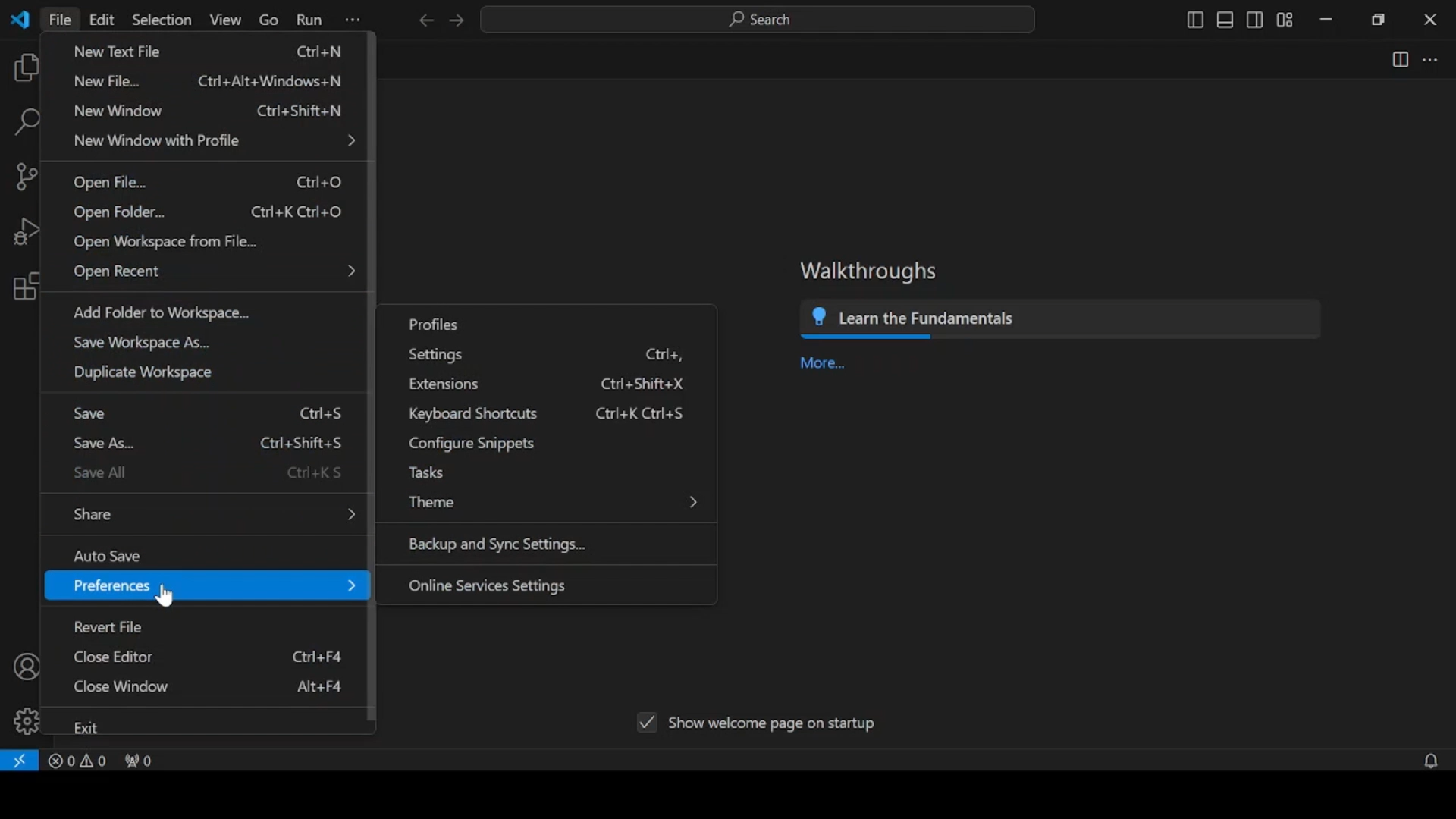 This screenshot has width=1456, height=819. I want to click on no ports forwarded, so click(136, 760).